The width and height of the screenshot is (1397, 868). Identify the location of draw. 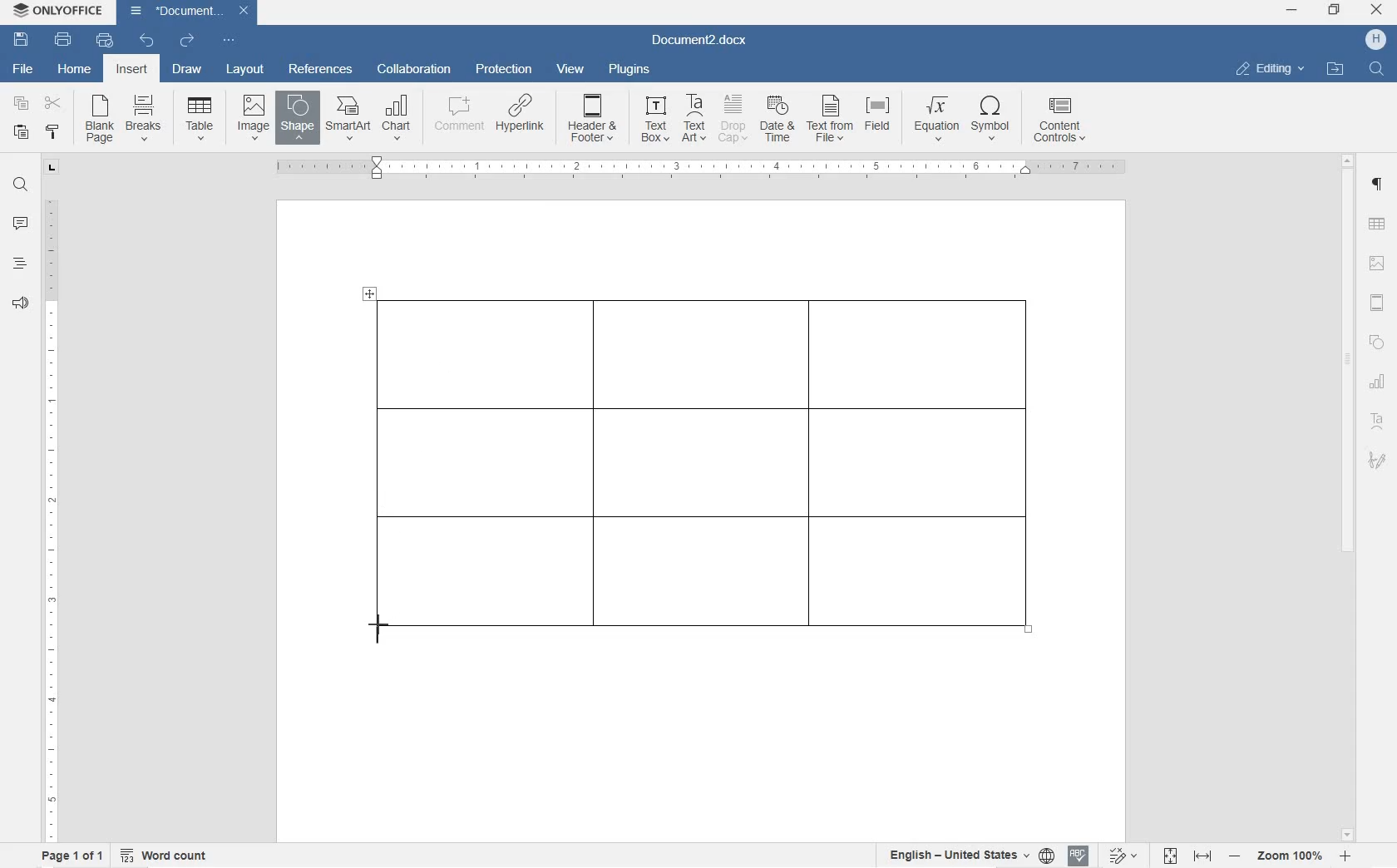
(187, 69).